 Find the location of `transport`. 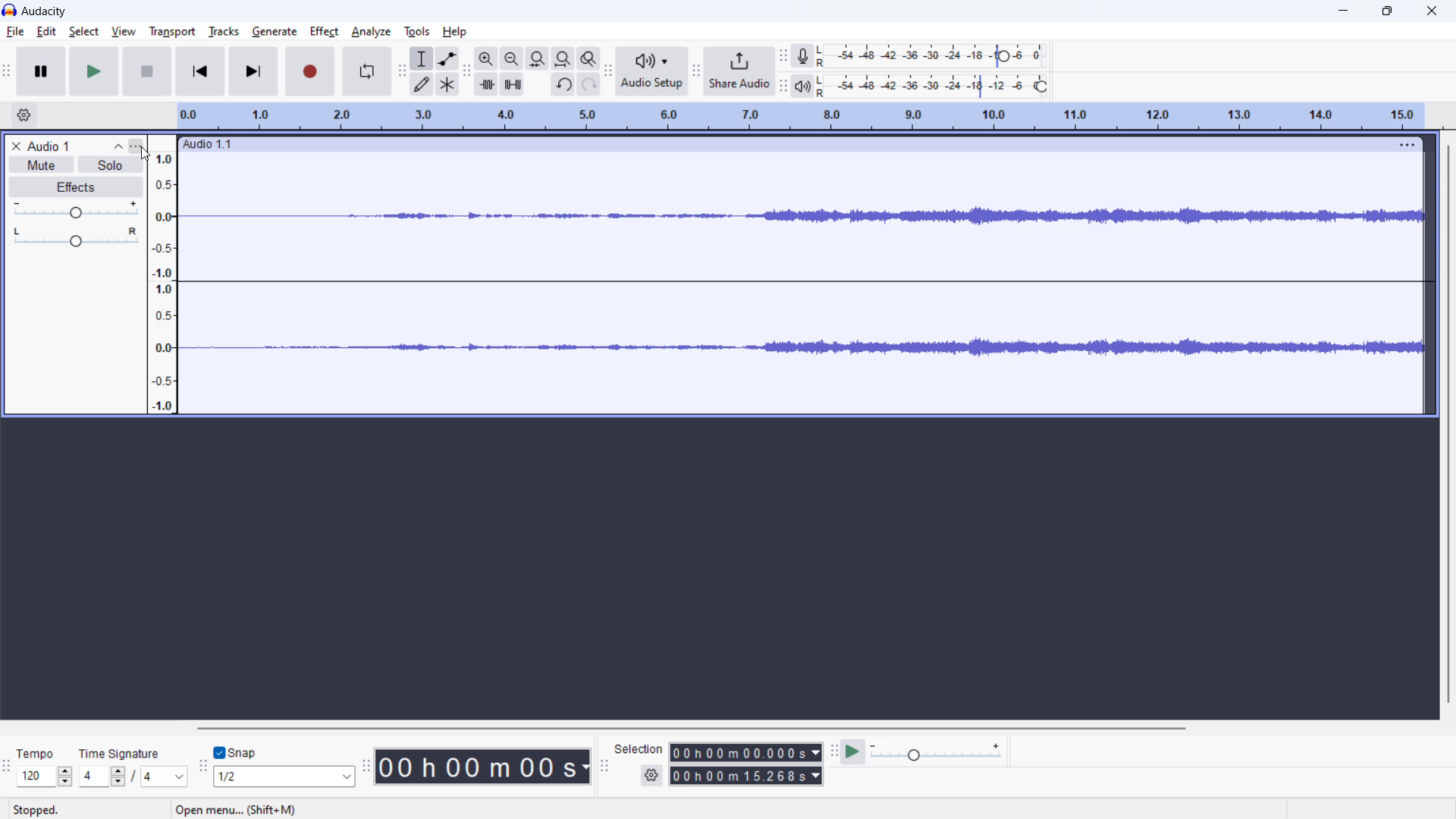

transport is located at coordinates (172, 31).